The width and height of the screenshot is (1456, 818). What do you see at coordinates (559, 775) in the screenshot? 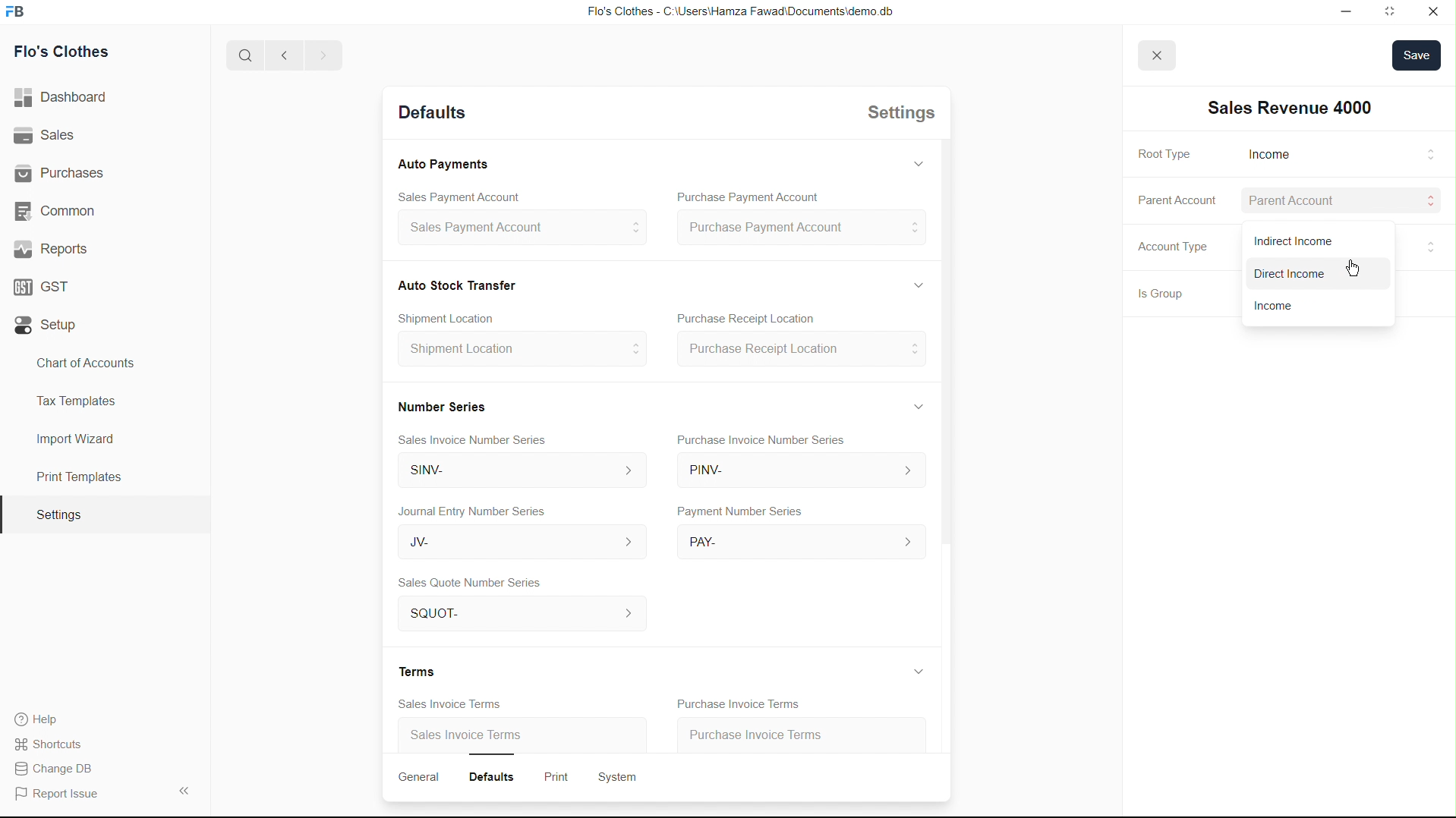
I see `Print` at bounding box center [559, 775].